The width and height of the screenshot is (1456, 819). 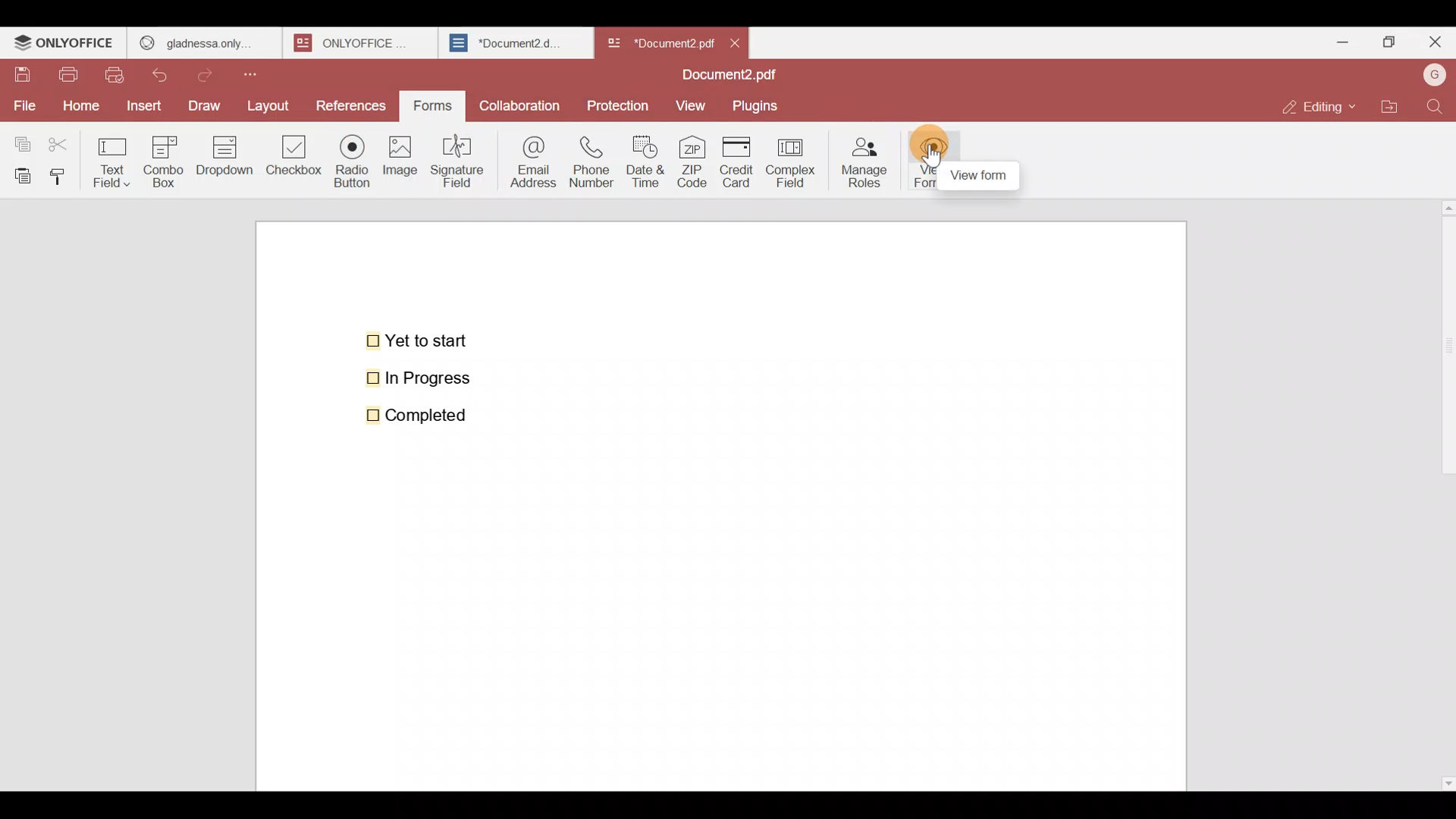 What do you see at coordinates (351, 105) in the screenshot?
I see `References` at bounding box center [351, 105].